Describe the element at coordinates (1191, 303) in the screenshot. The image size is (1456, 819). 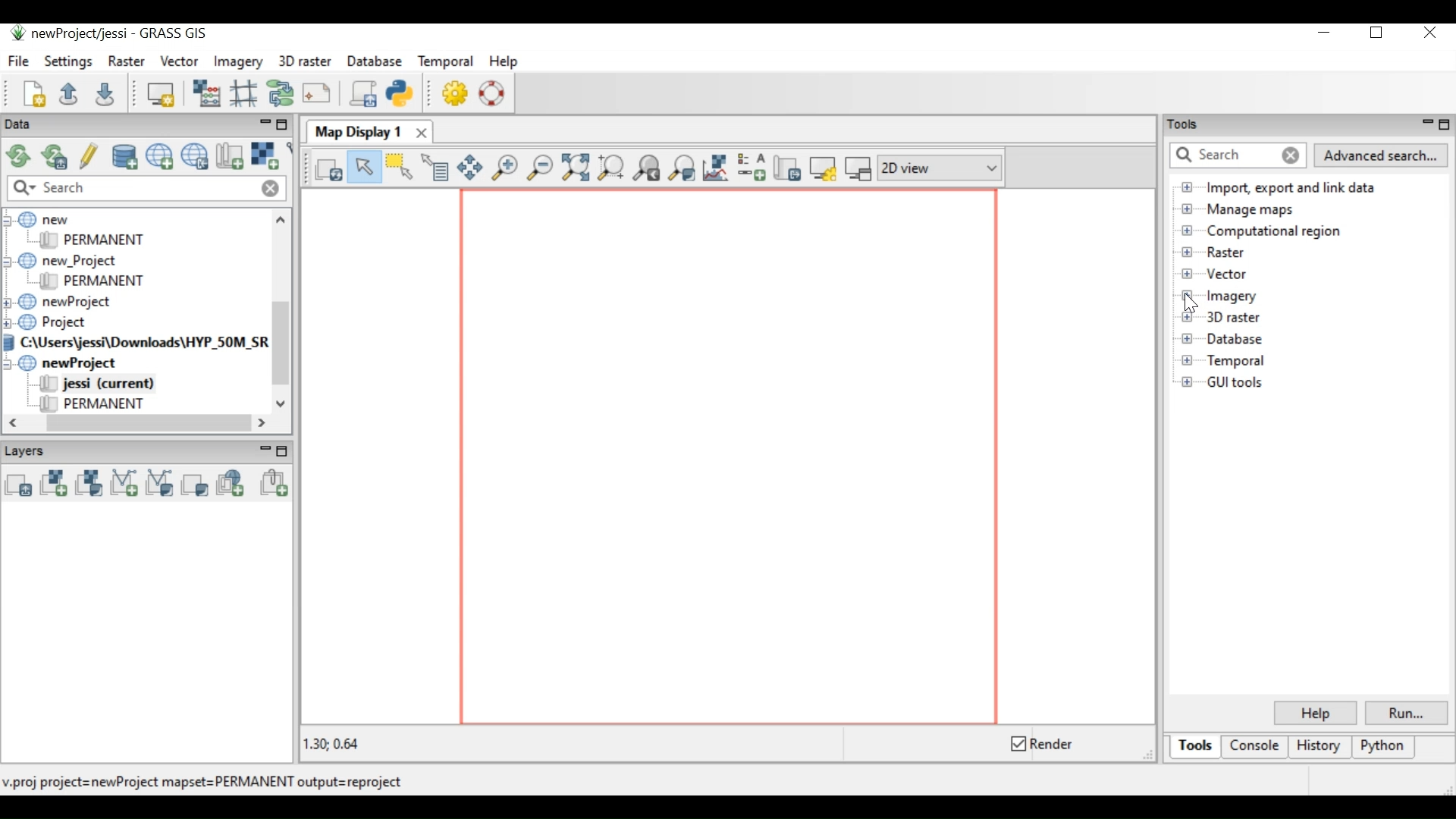
I see `Cursor` at that location.